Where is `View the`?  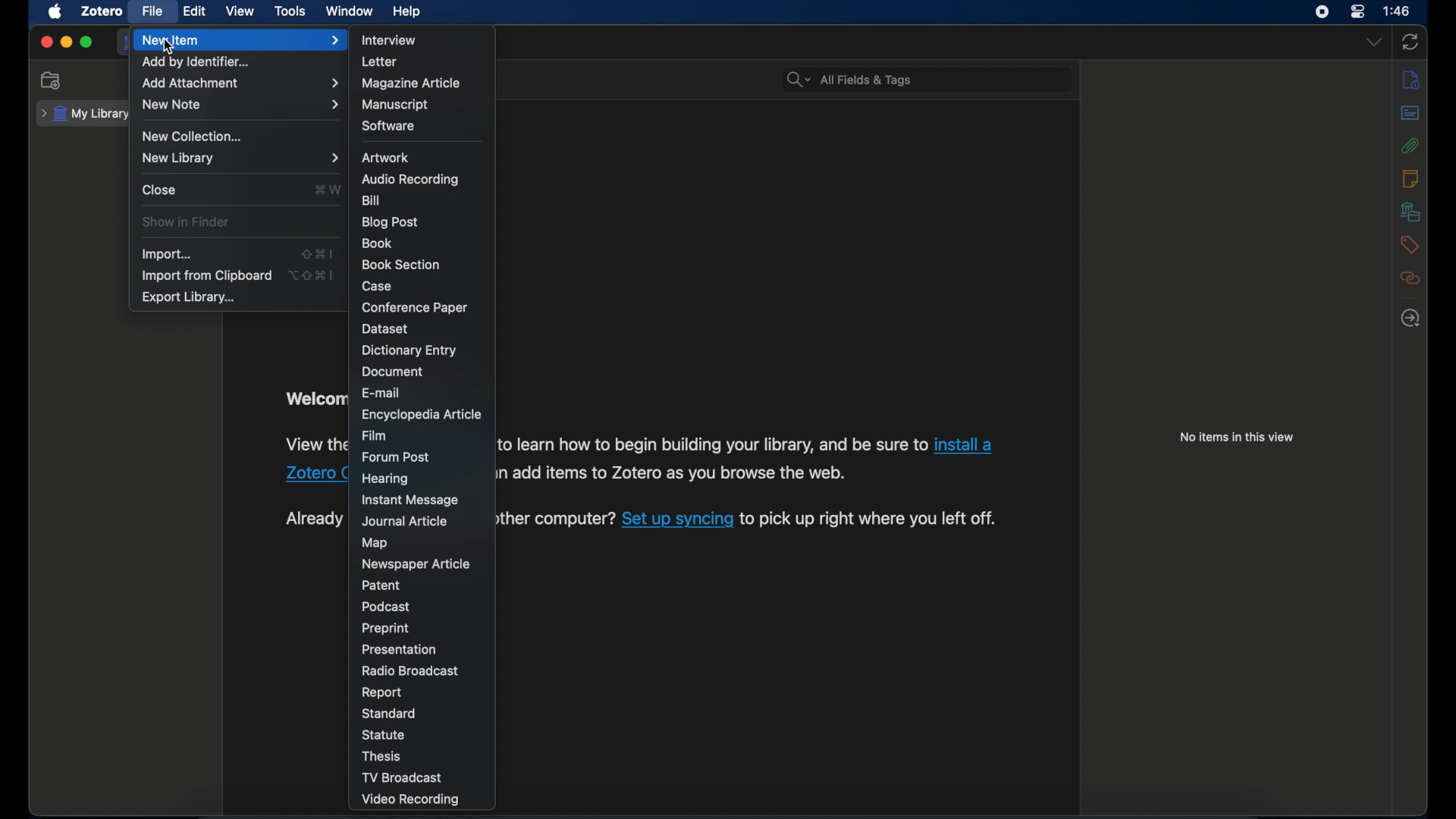
View the is located at coordinates (312, 444).